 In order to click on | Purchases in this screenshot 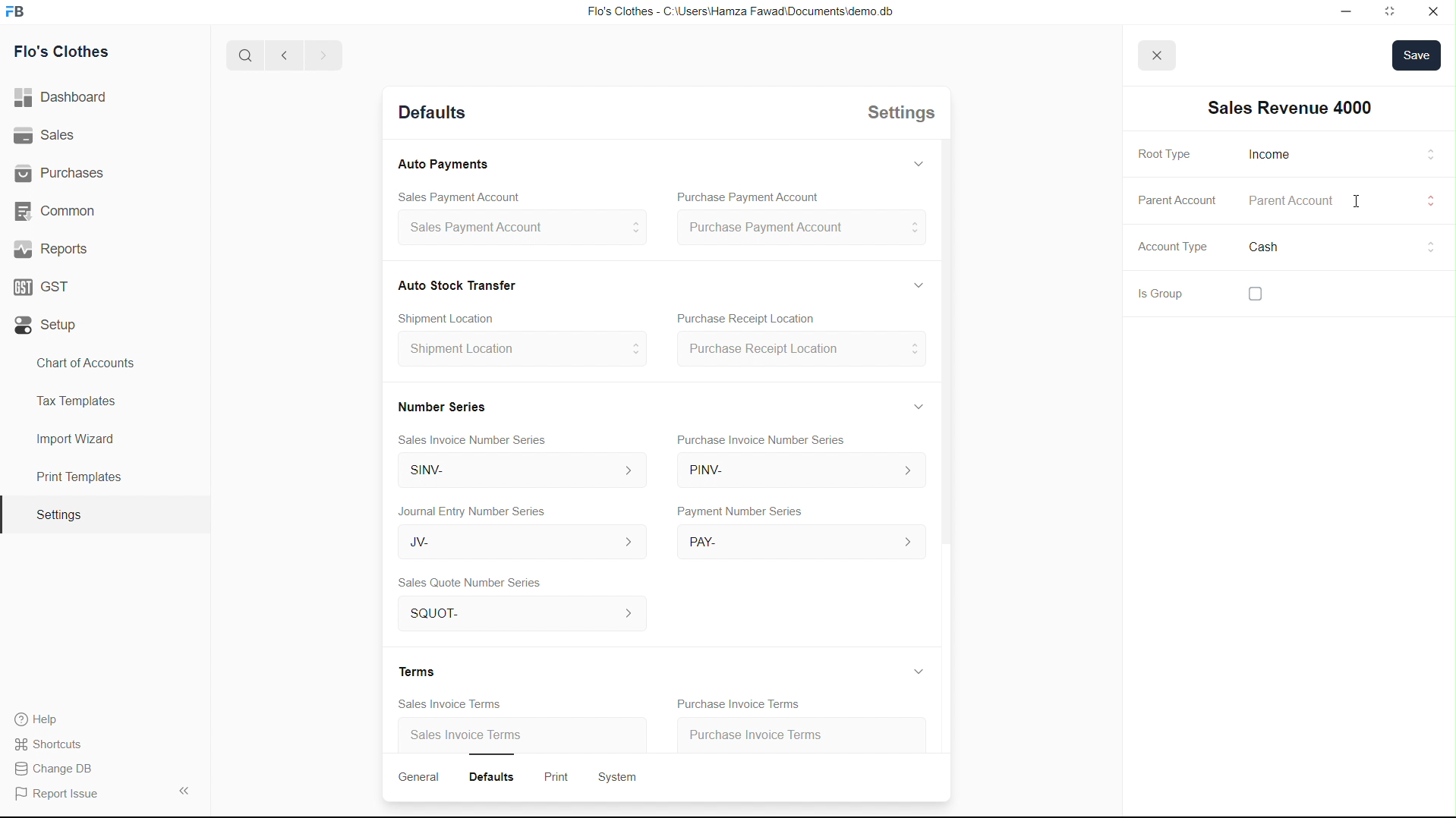, I will do `click(66, 171)`.